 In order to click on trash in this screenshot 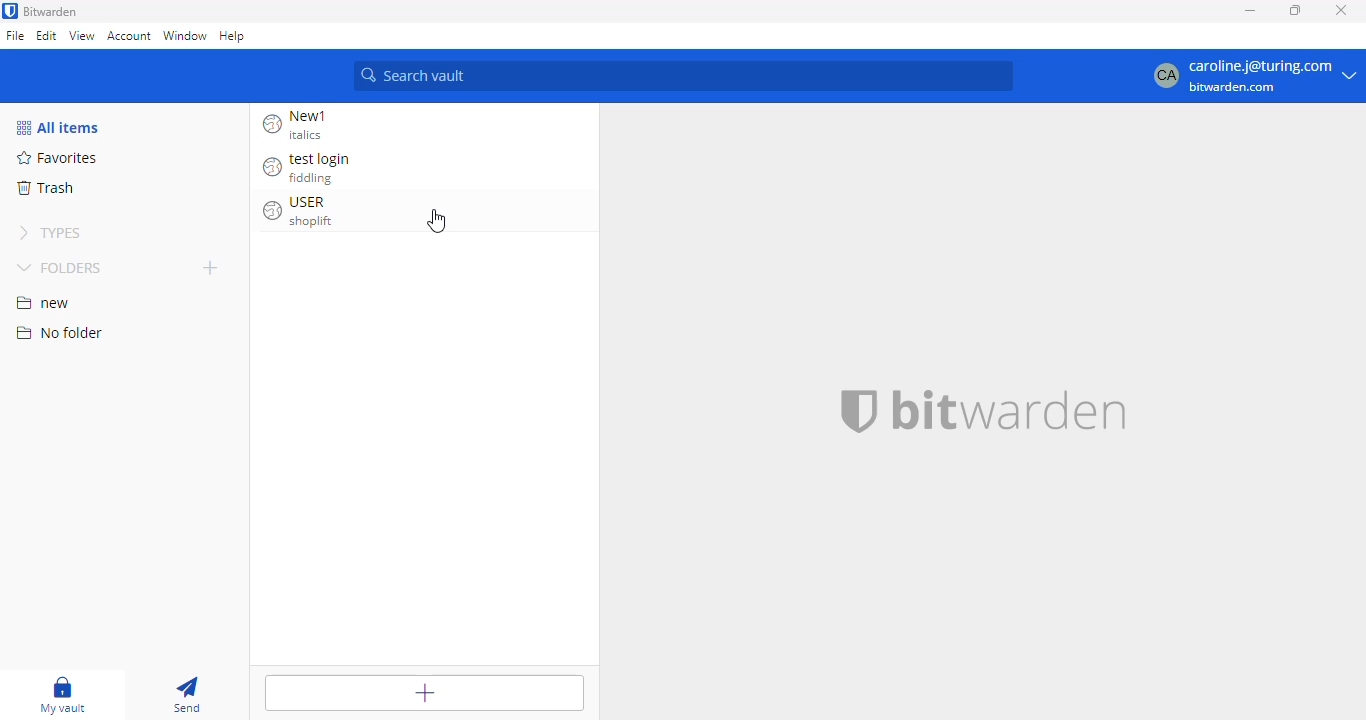, I will do `click(45, 187)`.